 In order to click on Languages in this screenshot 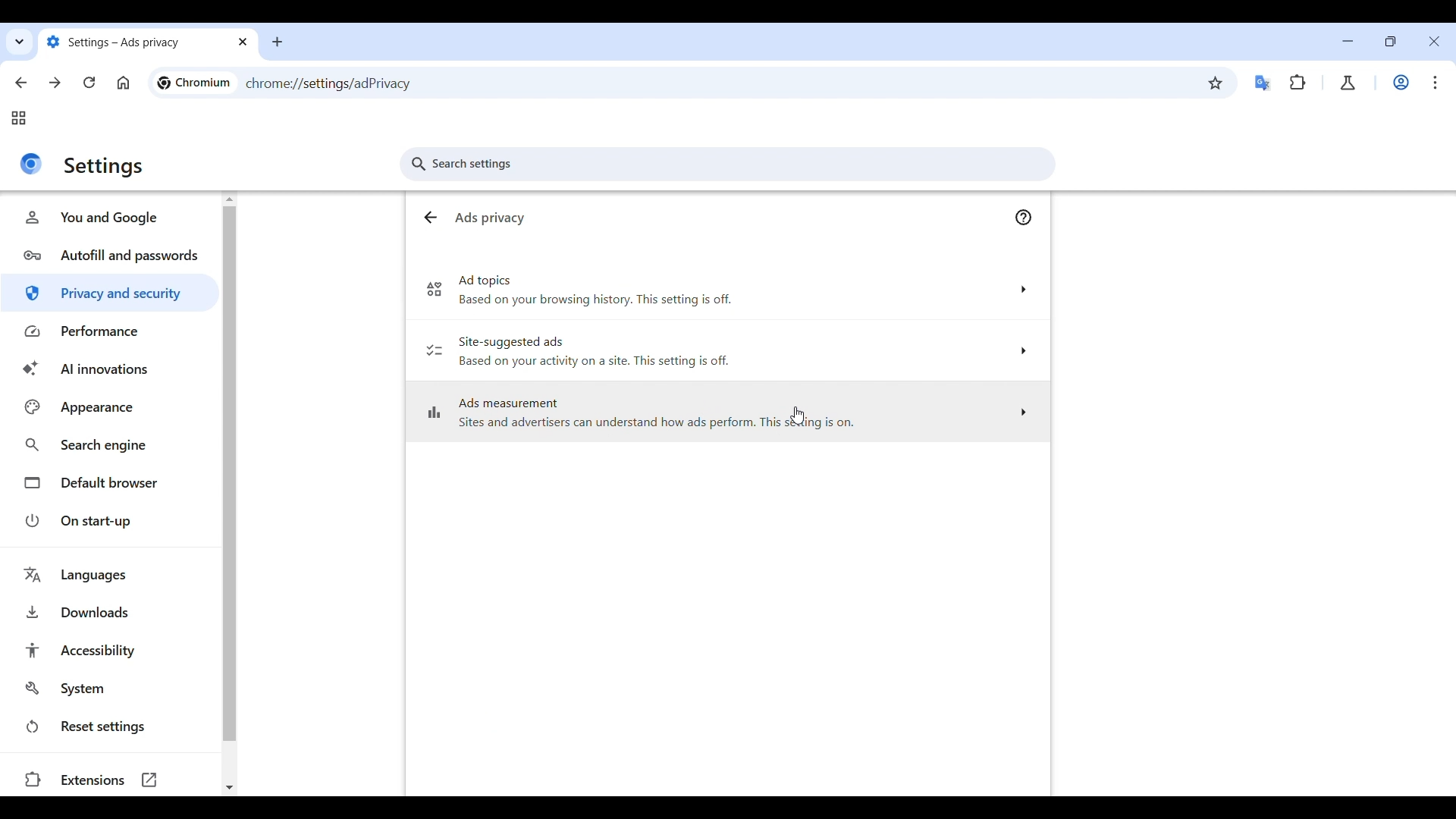, I will do `click(114, 575)`.